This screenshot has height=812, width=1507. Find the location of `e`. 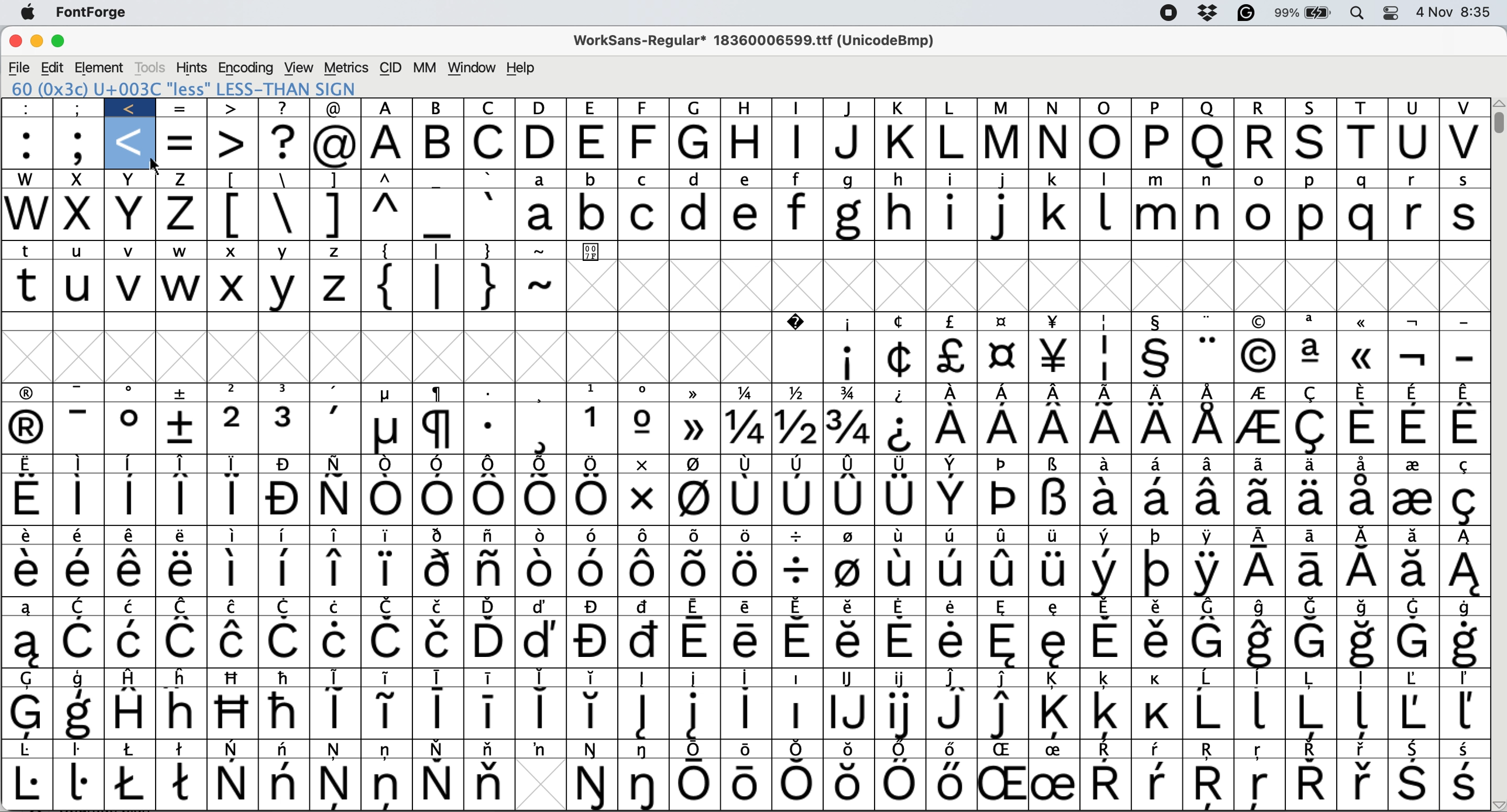

e is located at coordinates (742, 215).